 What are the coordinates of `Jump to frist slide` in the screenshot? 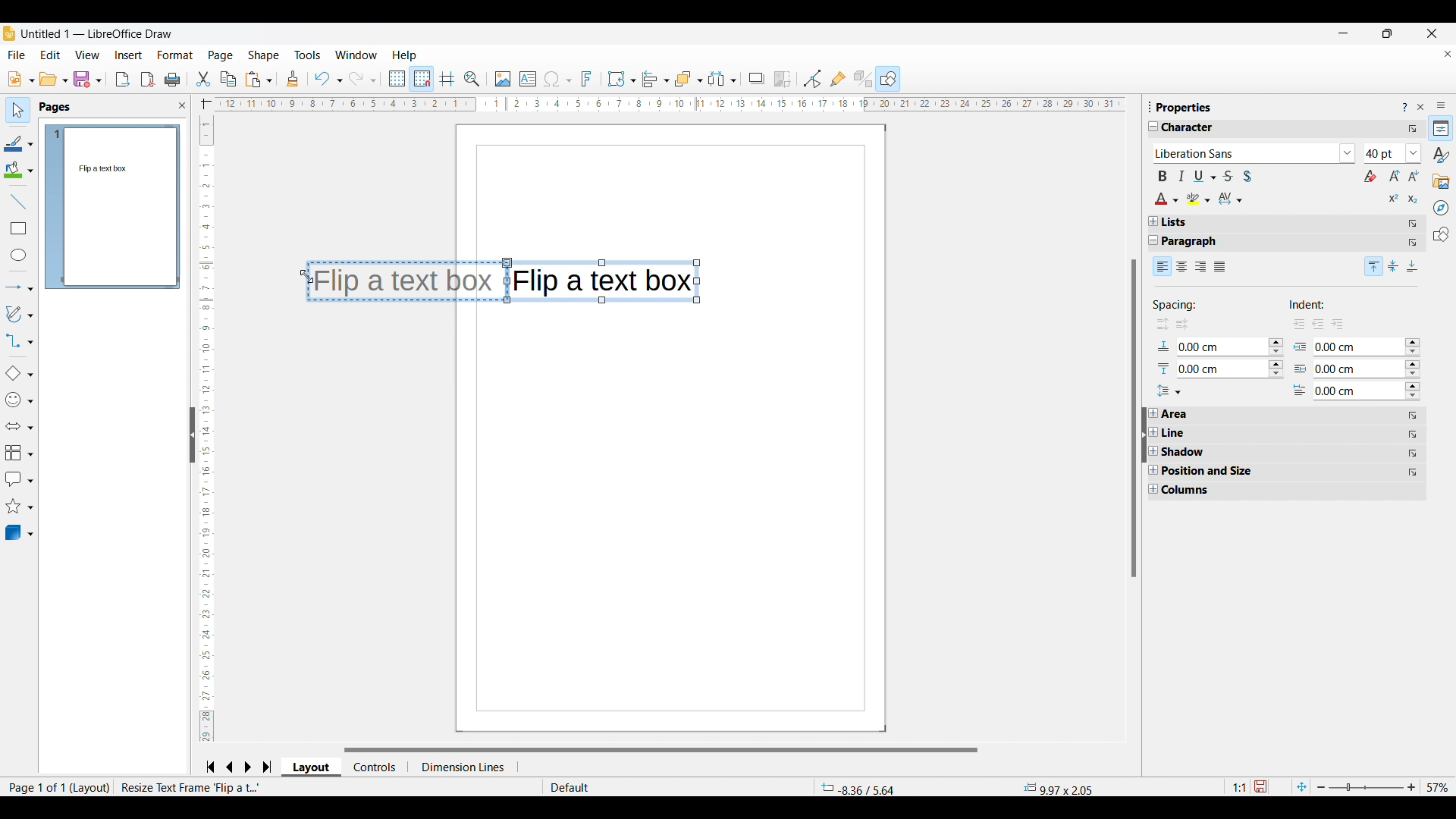 It's located at (210, 767).